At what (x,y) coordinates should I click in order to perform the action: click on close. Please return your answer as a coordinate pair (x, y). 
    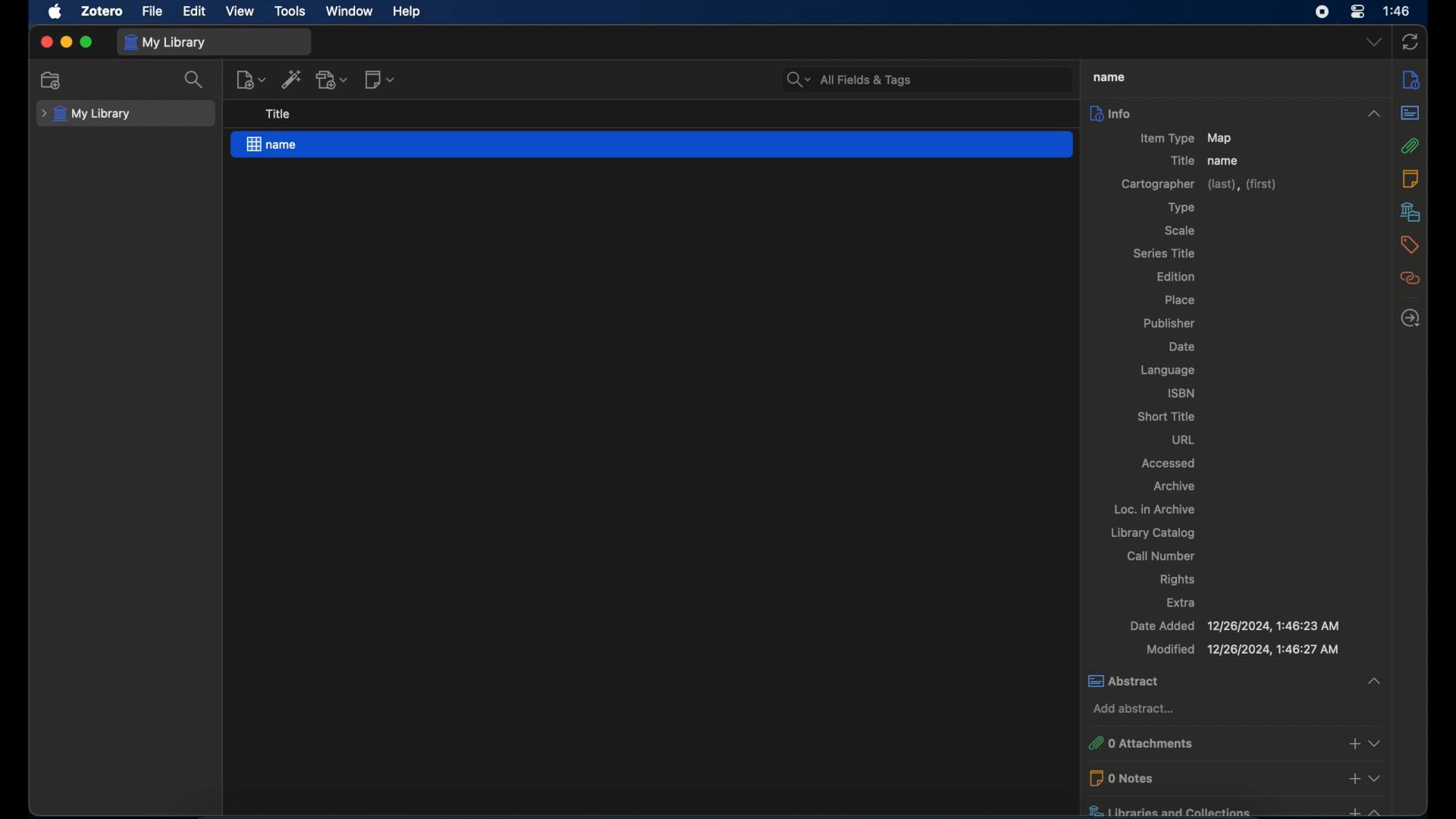
    Looking at the image, I should click on (45, 42).